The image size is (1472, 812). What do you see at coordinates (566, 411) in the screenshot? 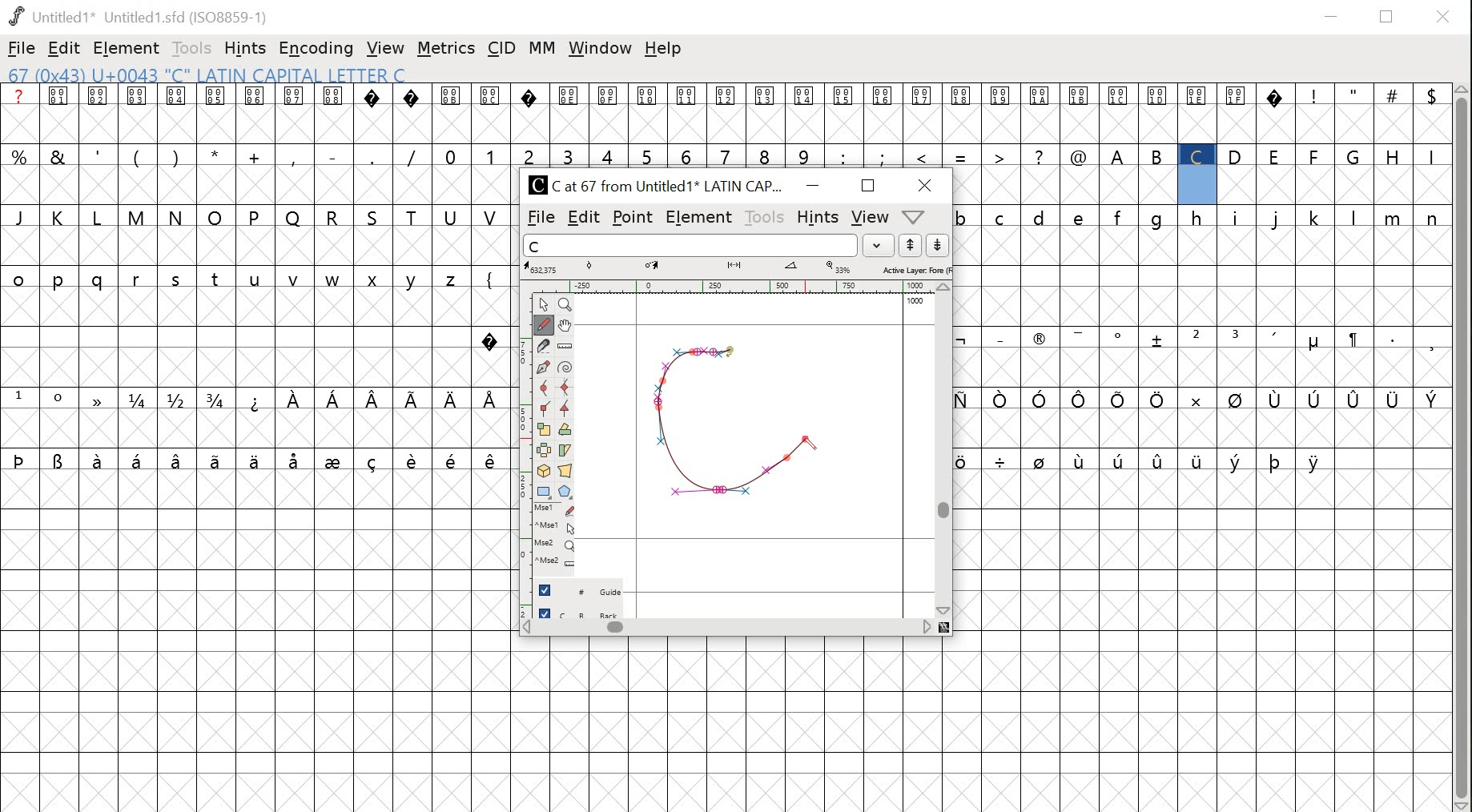
I see `tangent` at bounding box center [566, 411].